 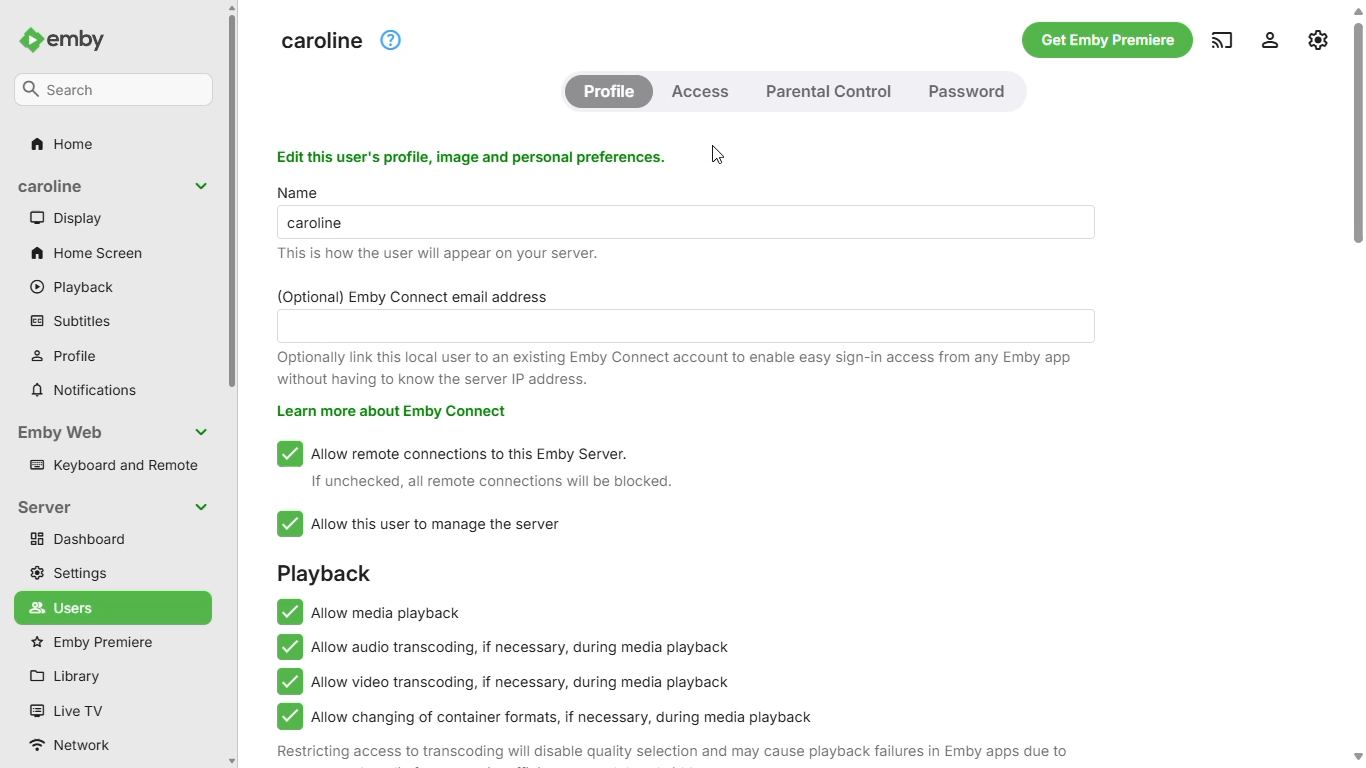 What do you see at coordinates (64, 676) in the screenshot?
I see `library` at bounding box center [64, 676].